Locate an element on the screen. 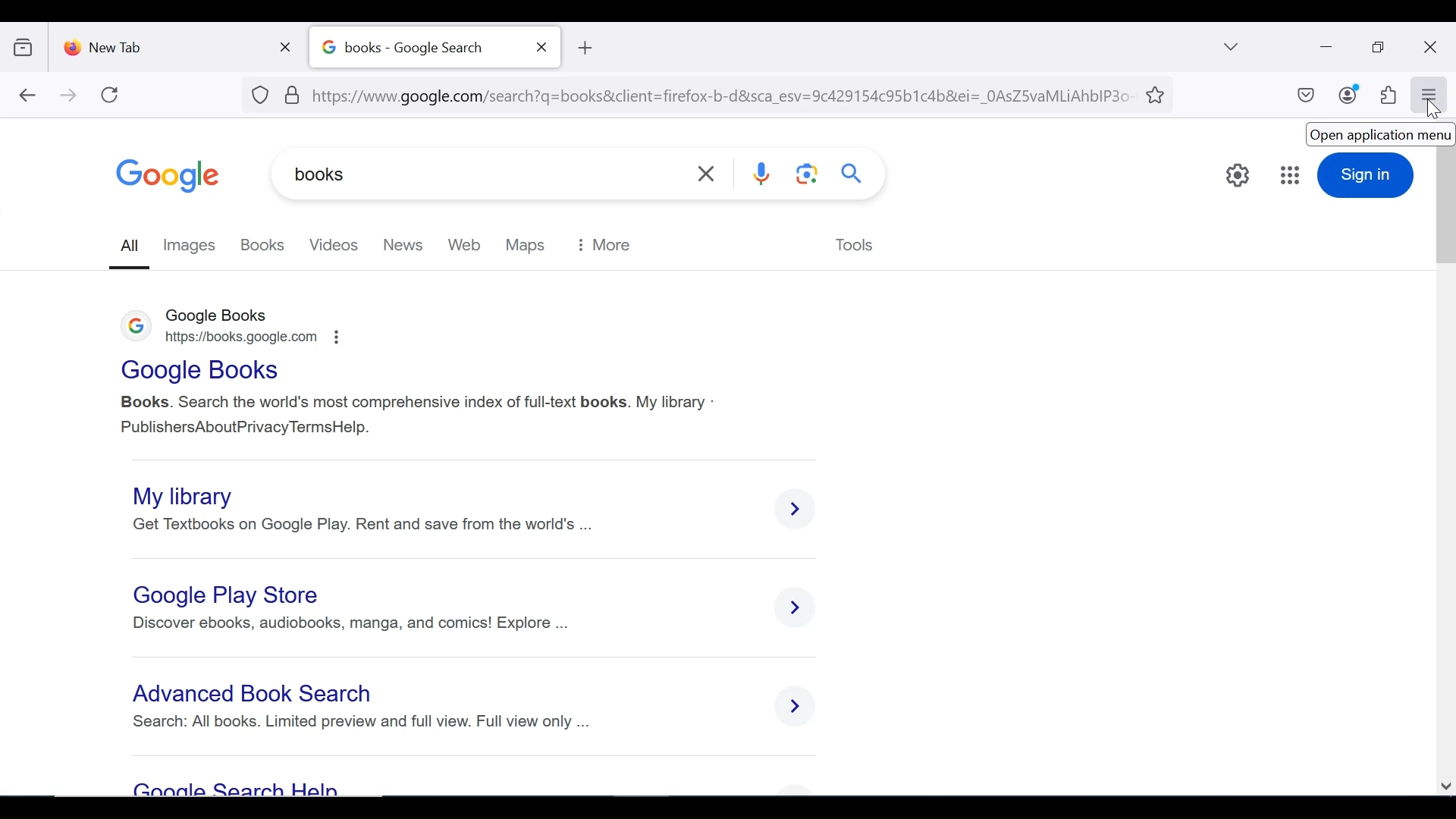 Image resolution: width=1456 pixels, height=819 pixels. url is located at coordinates (693, 93).